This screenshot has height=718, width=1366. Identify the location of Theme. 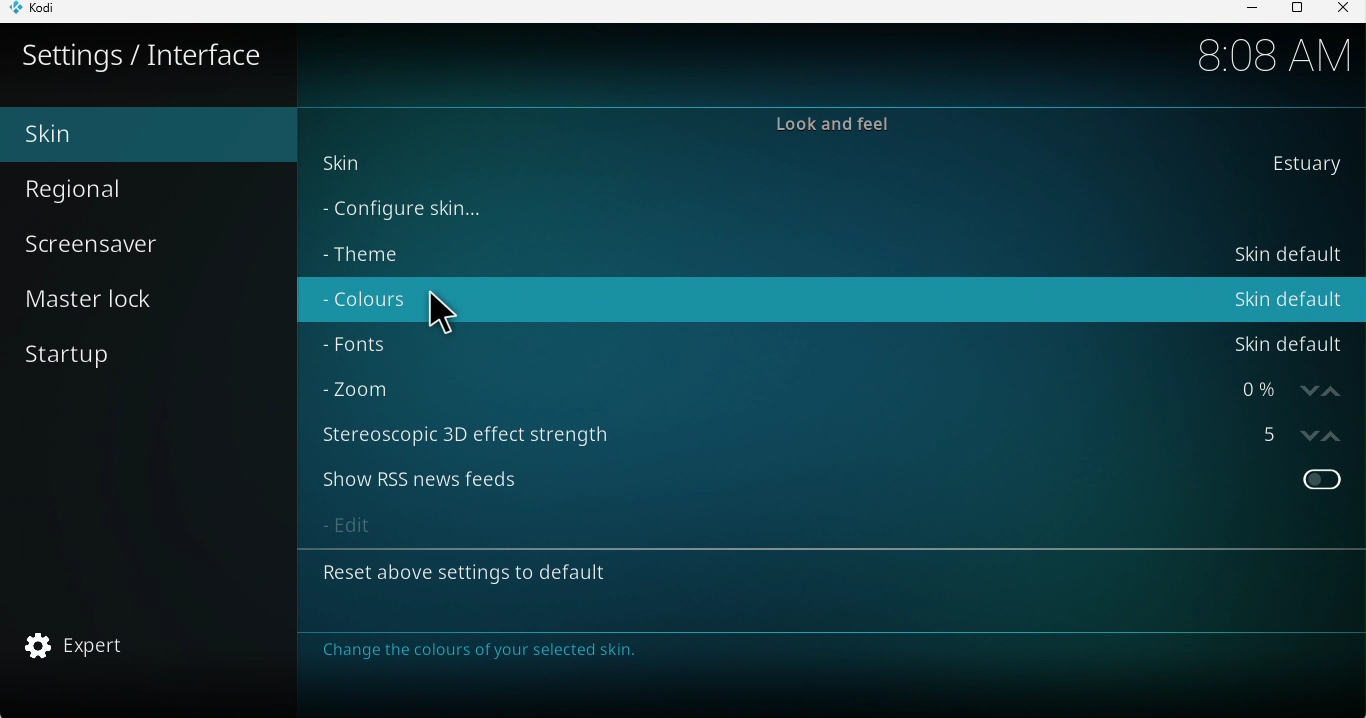
(824, 253).